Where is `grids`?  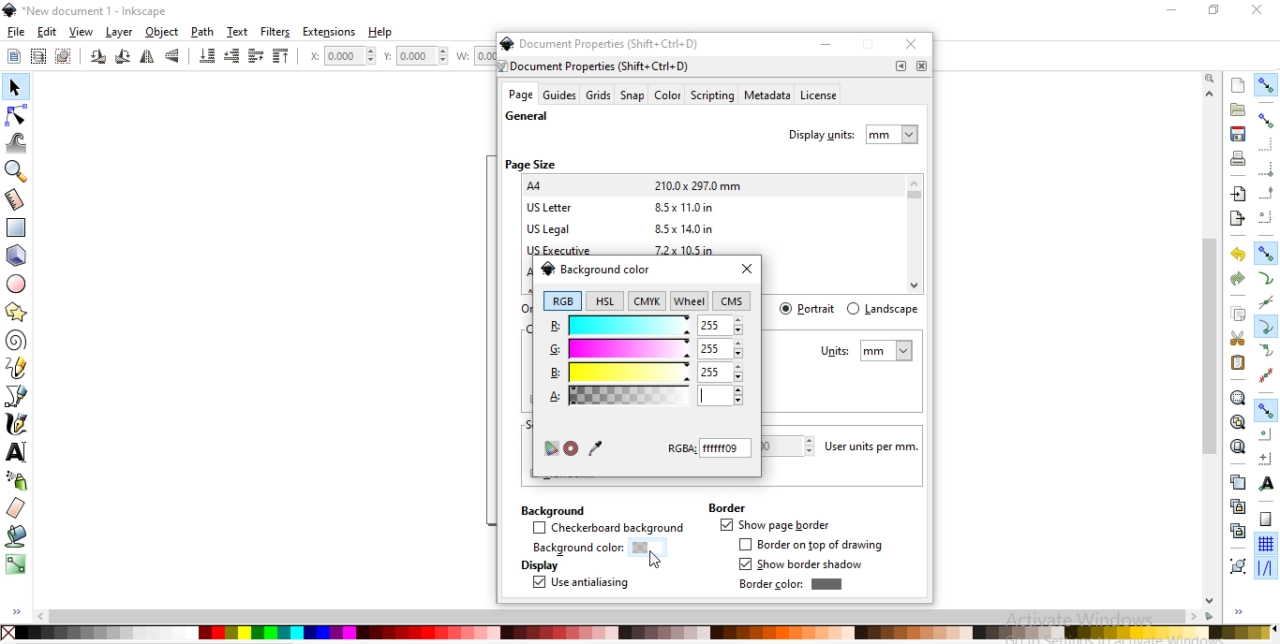
grids is located at coordinates (598, 95).